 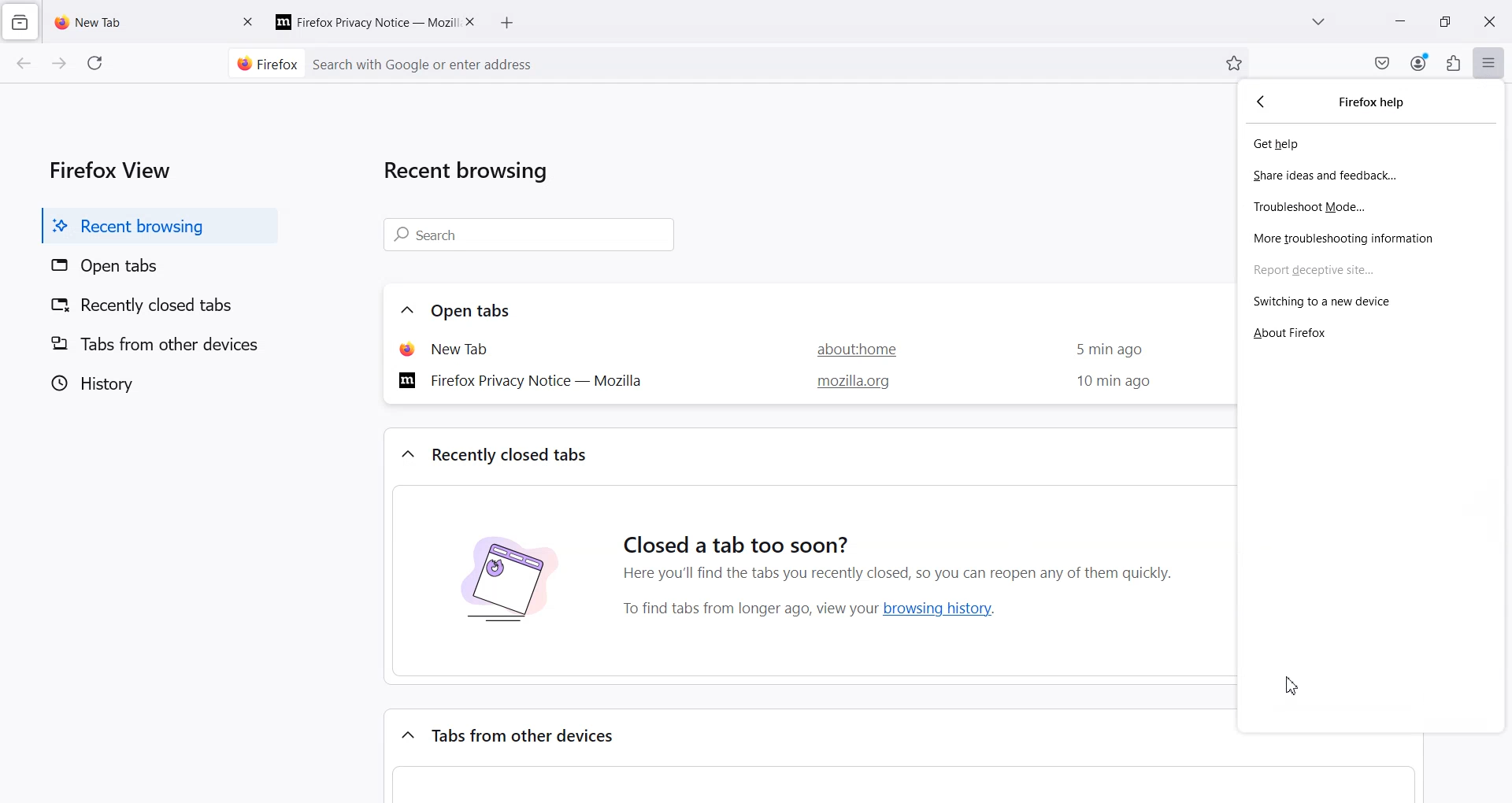 I want to click on firefox Logo , so click(x=261, y=63).